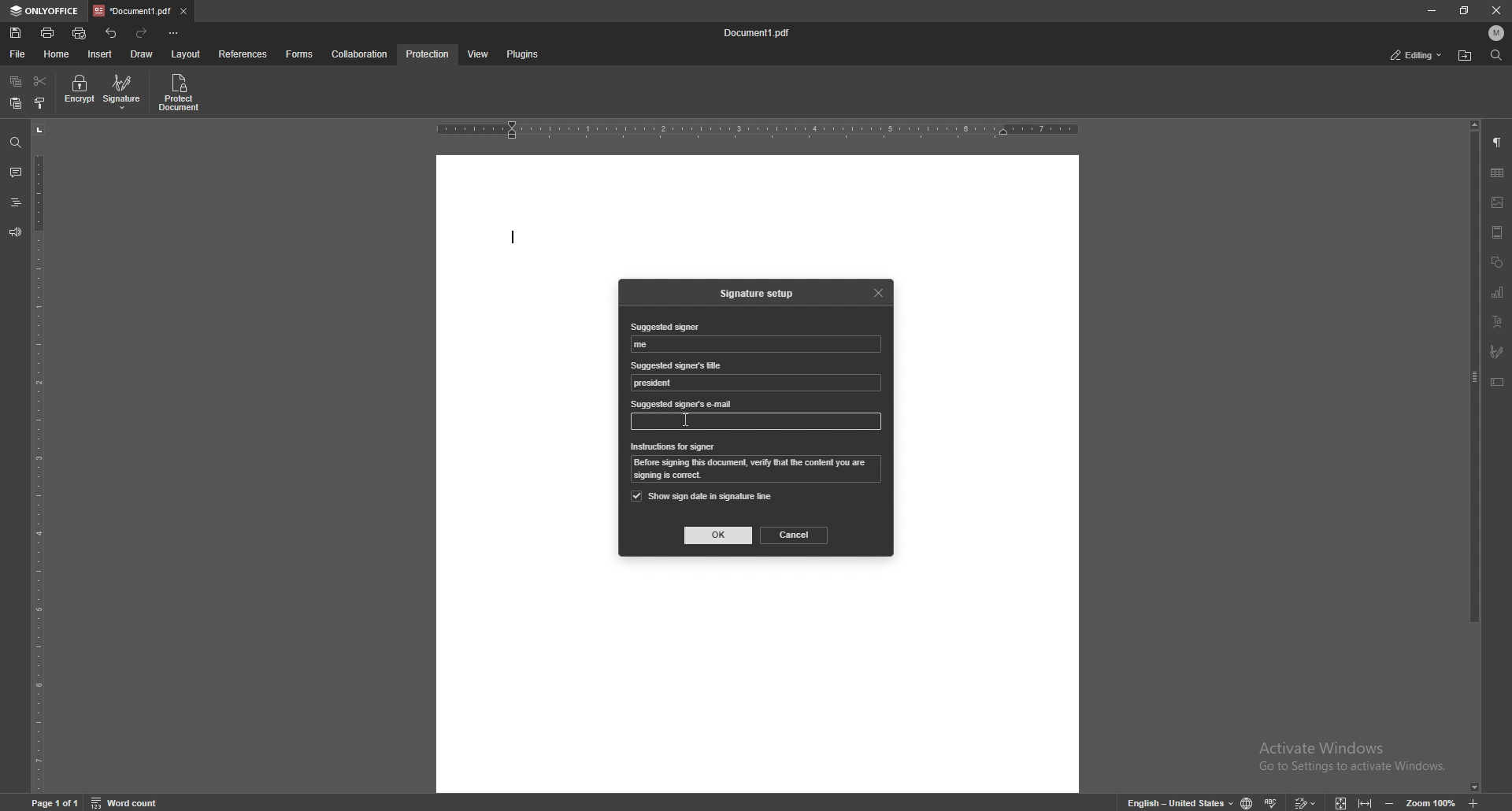  What do you see at coordinates (664, 328) in the screenshot?
I see `suggested signer` at bounding box center [664, 328].